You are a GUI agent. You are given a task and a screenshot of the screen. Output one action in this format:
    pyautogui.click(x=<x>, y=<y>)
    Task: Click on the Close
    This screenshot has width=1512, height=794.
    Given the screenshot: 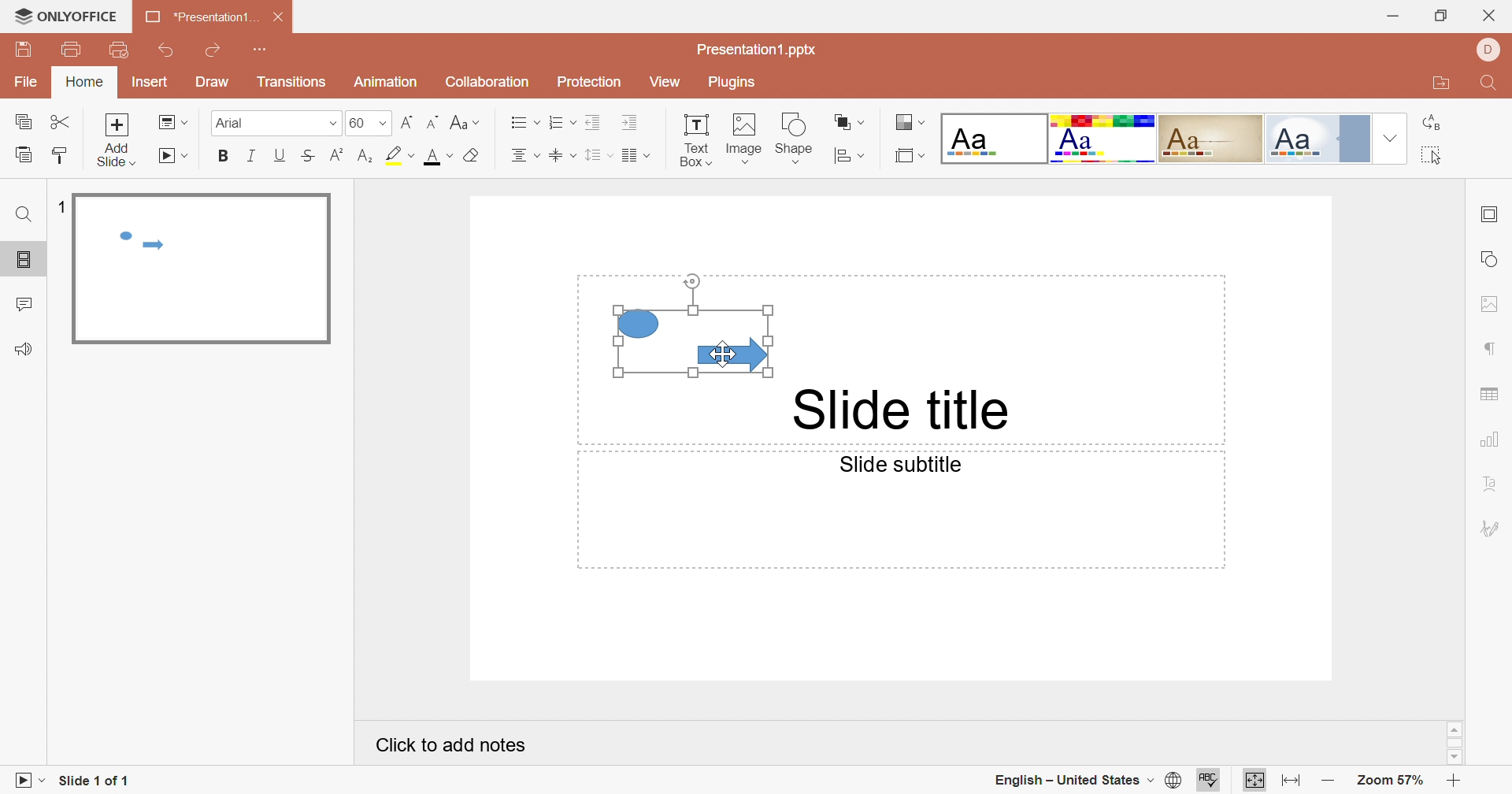 What is the action you would take?
    pyautogui.click(x=280, y=18)
    